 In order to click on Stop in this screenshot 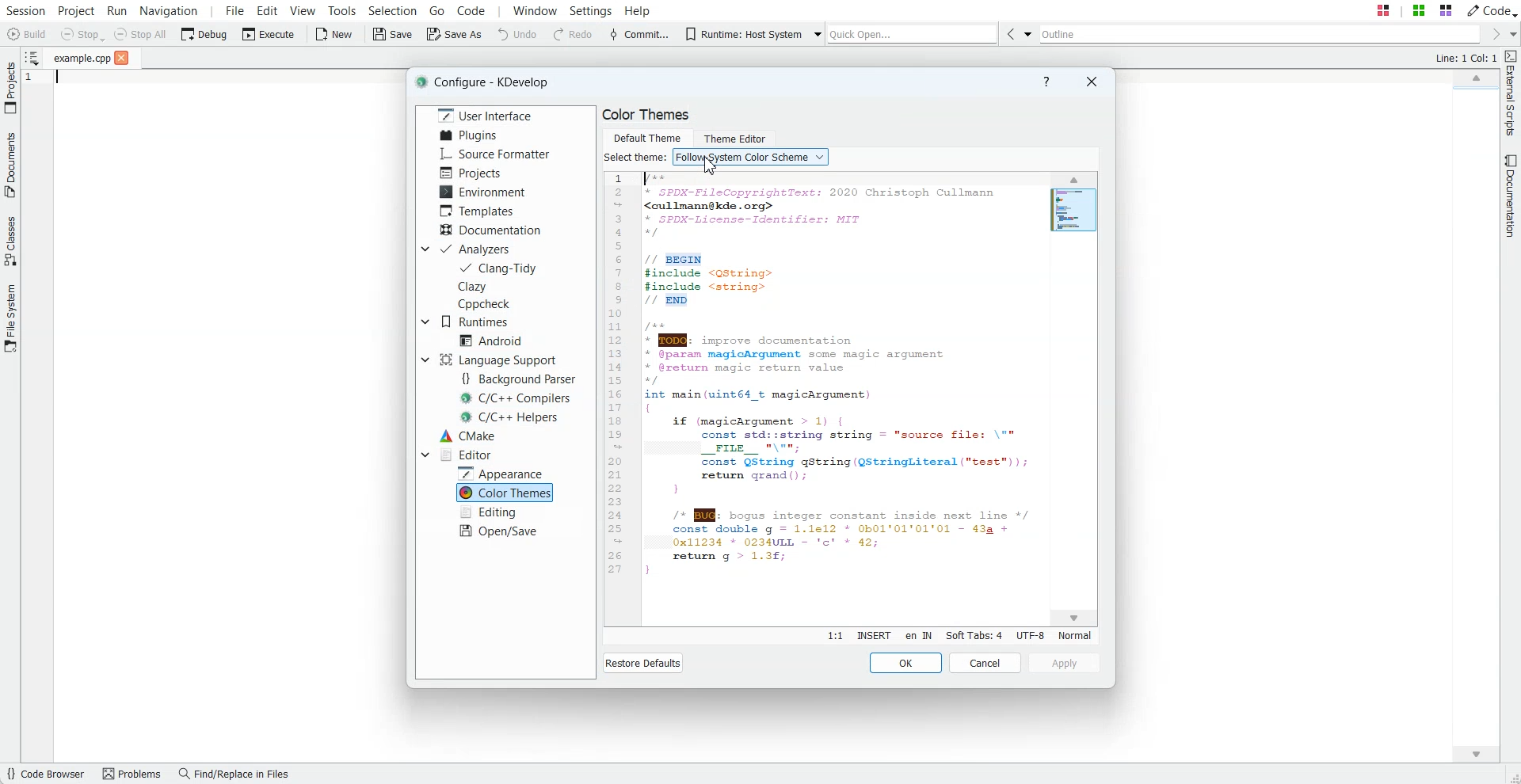, I will do `click(82, 35)`.